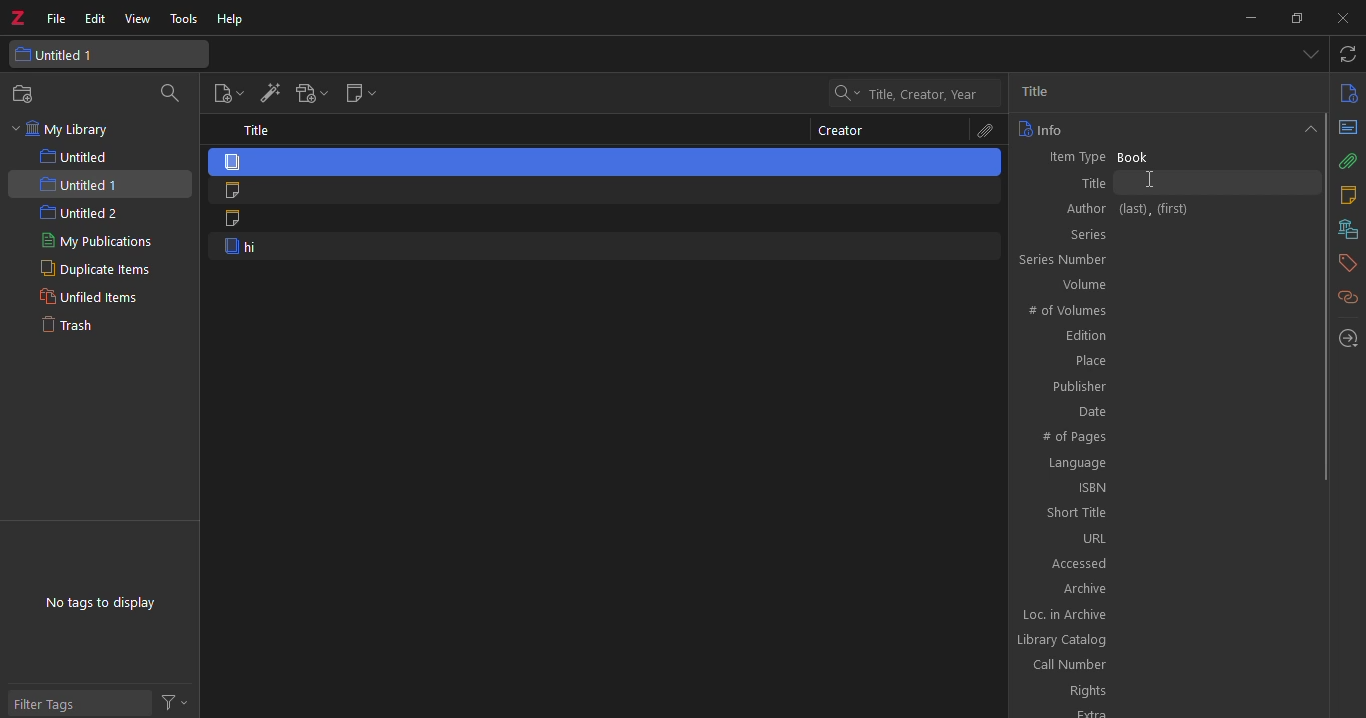  What do you see at coordinates (231, 21) in the screenshot?
I see `help` at bounding box center [231, 21].